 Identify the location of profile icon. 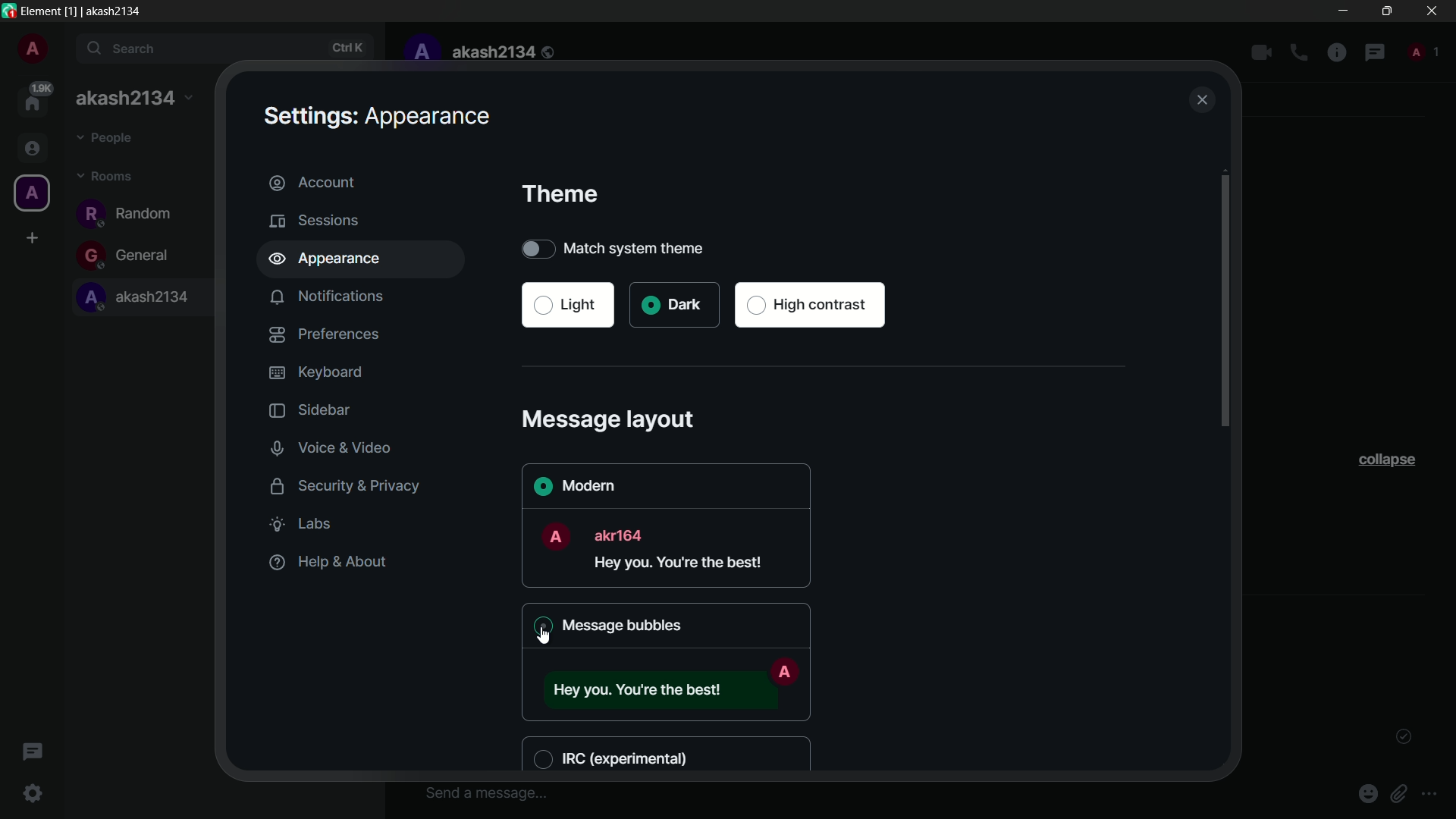
(554, 536).